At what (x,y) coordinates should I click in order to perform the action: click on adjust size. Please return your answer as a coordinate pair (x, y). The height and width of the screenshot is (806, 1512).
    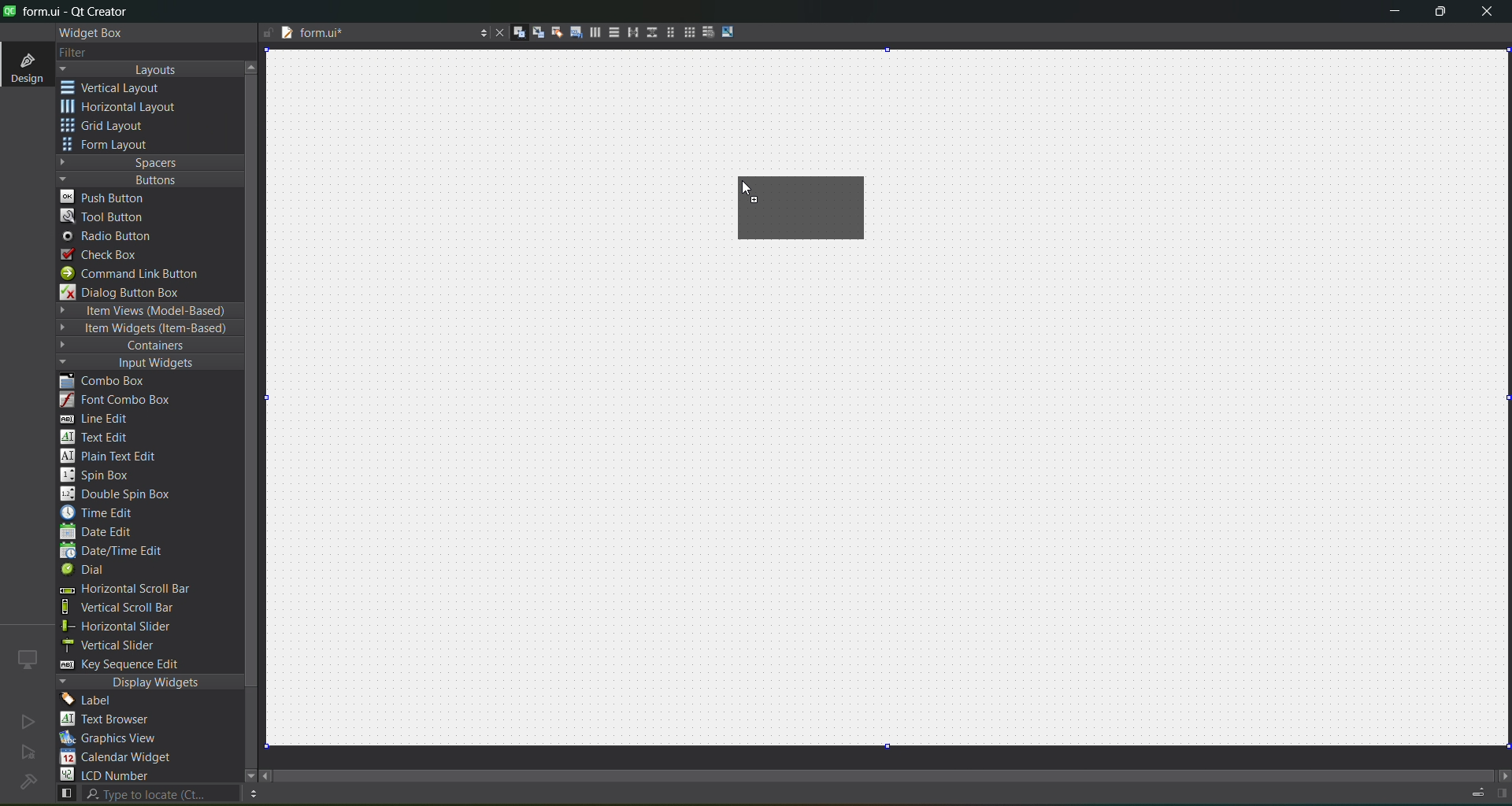
    Looking at the image, I should click on (732, 31).